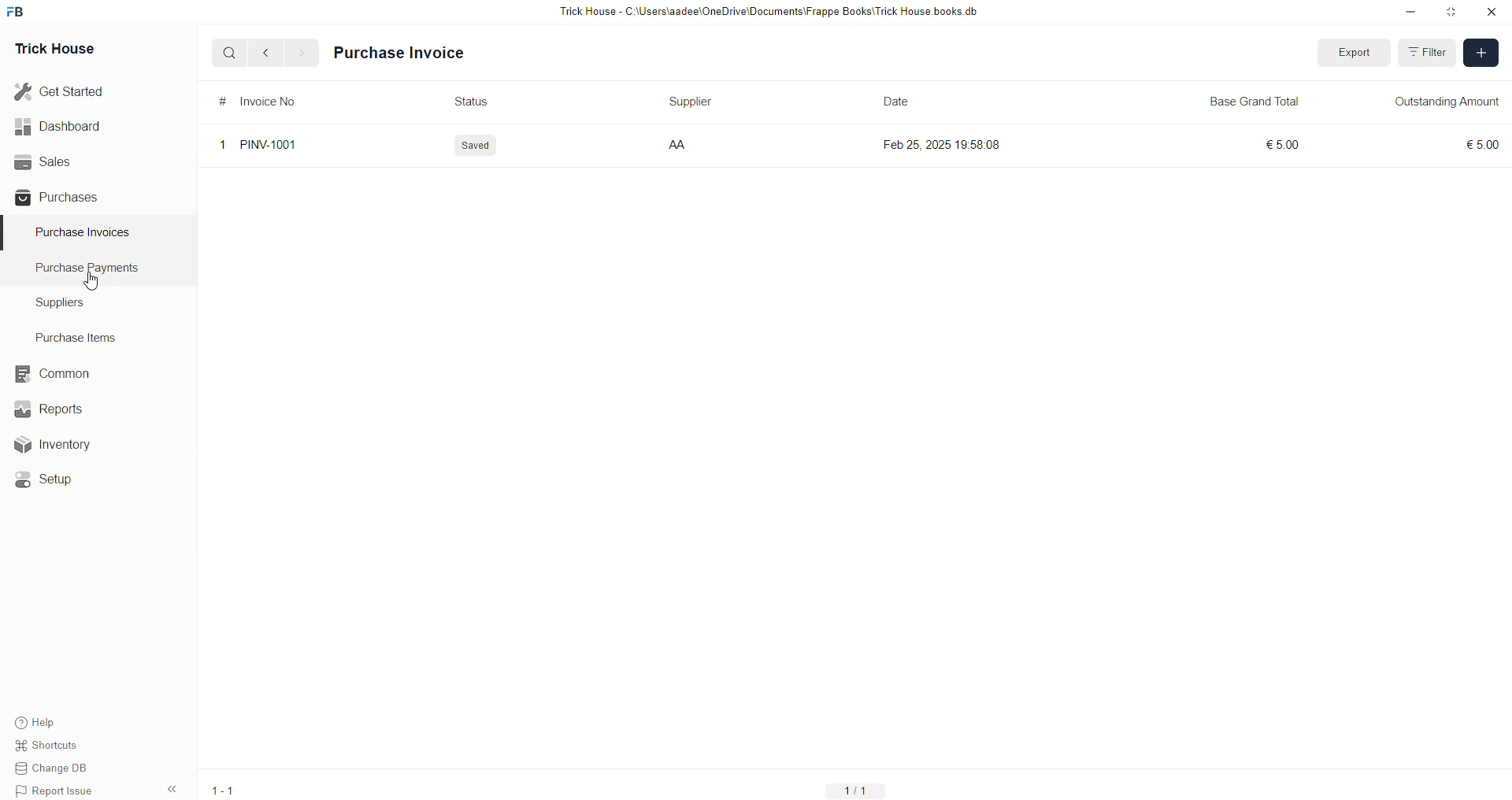 The image size is (1512, 800). What do you see at coordinates (469, 147) in the screenshot?
I see `Saved` at bounding box center [469, 147].